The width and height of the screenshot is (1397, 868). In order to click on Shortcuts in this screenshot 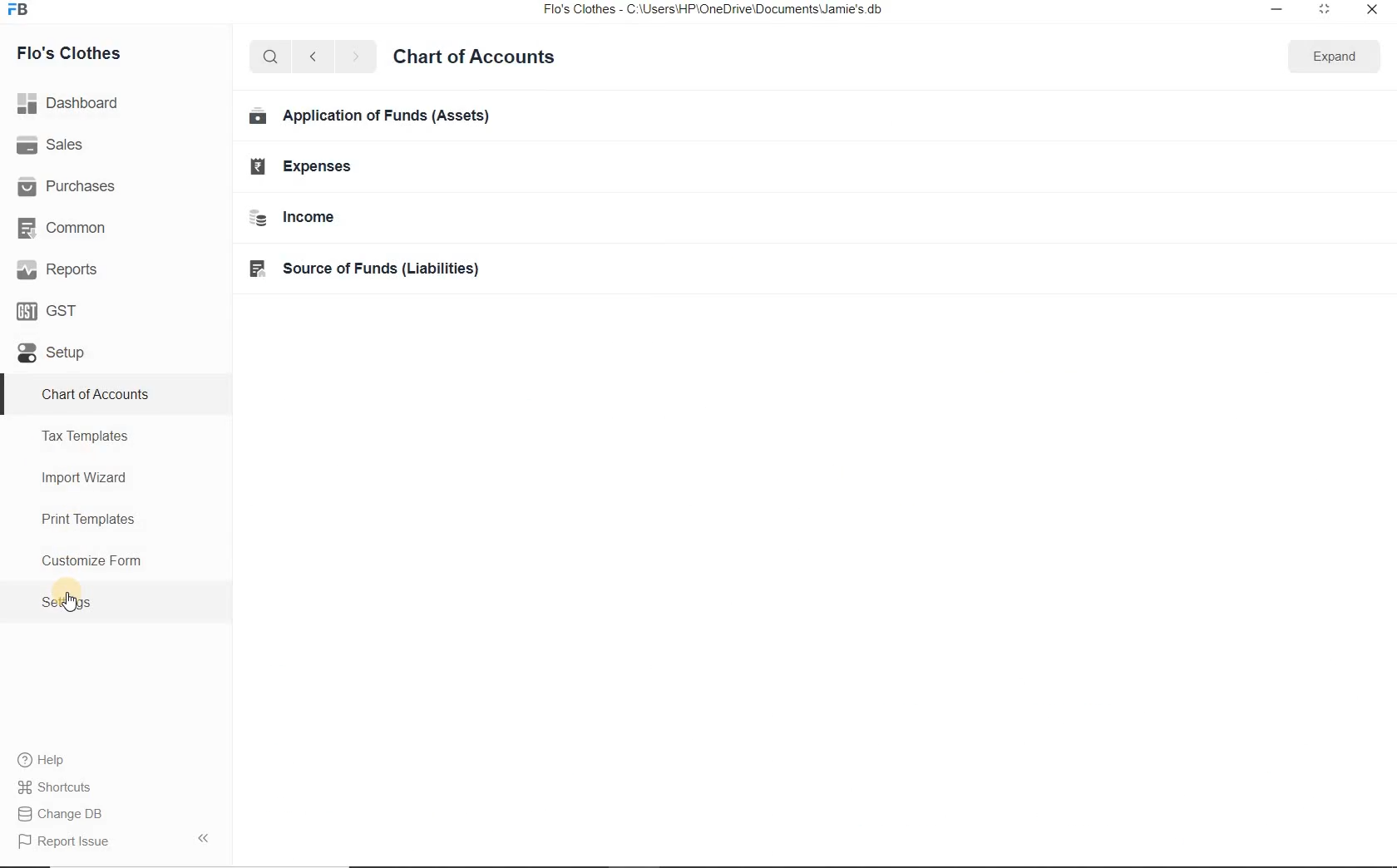, I will do `click(56, 787)`.